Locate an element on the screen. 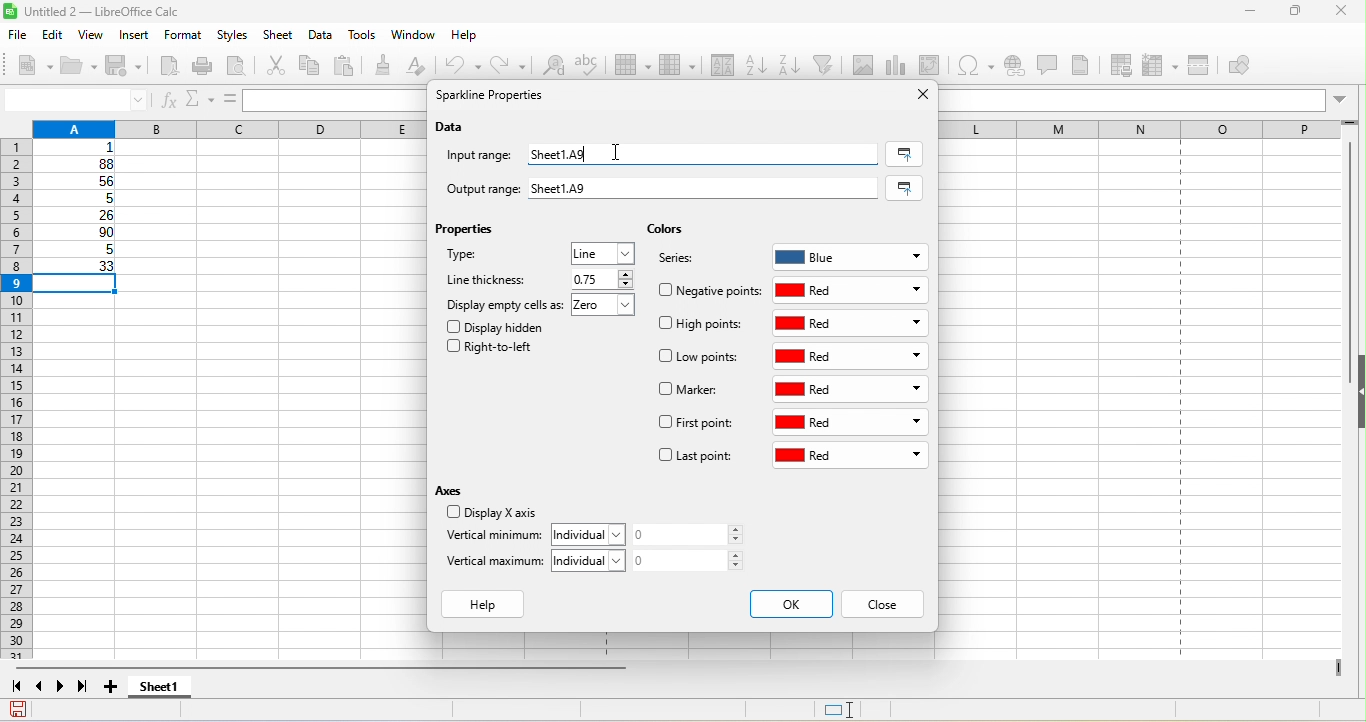 The height and width of the screenshot is (722, 1366). column is located at coordinates (225, 127).